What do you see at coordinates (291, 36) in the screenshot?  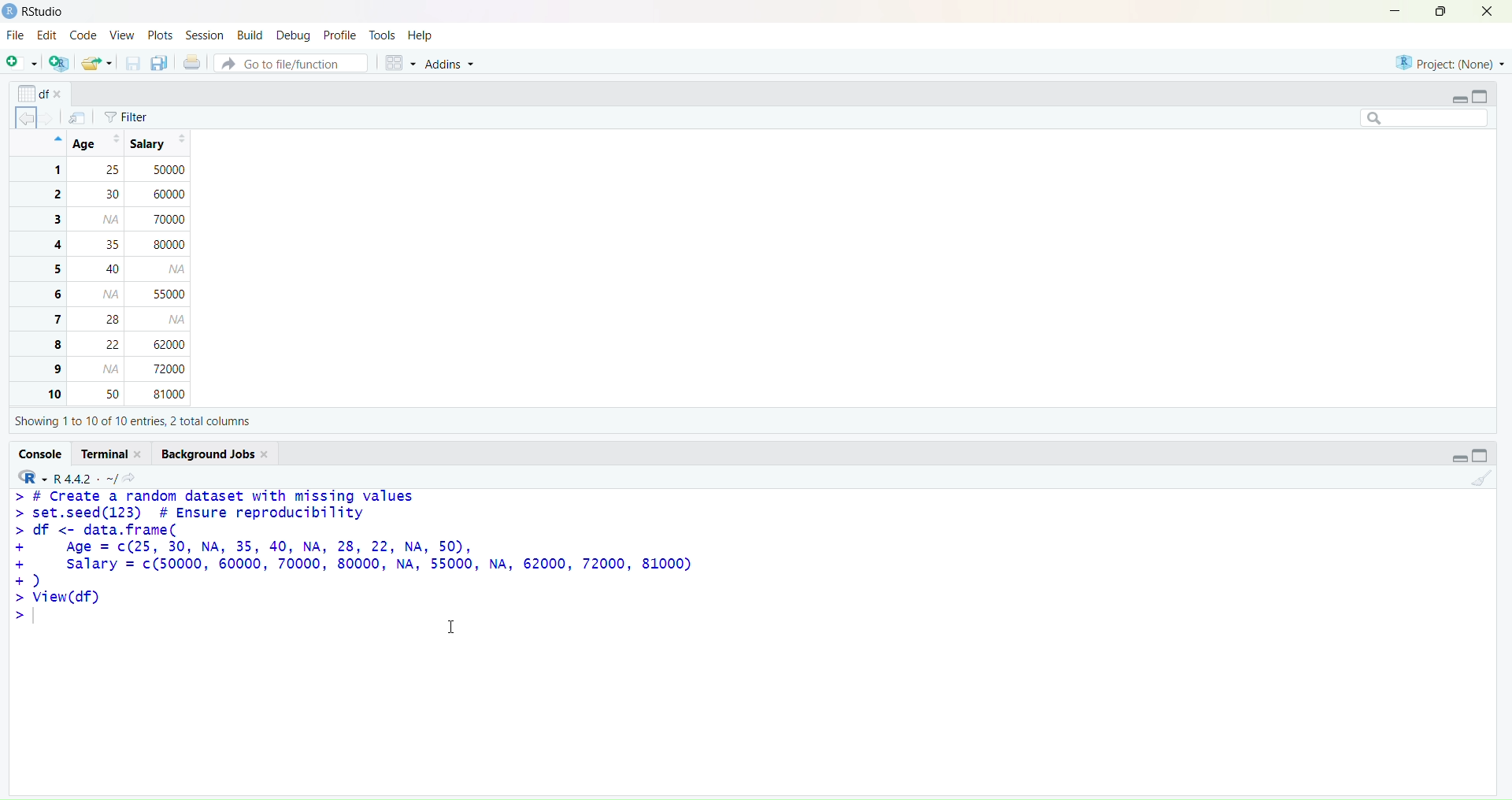 I see `debug` at bounding box center [291, 36].